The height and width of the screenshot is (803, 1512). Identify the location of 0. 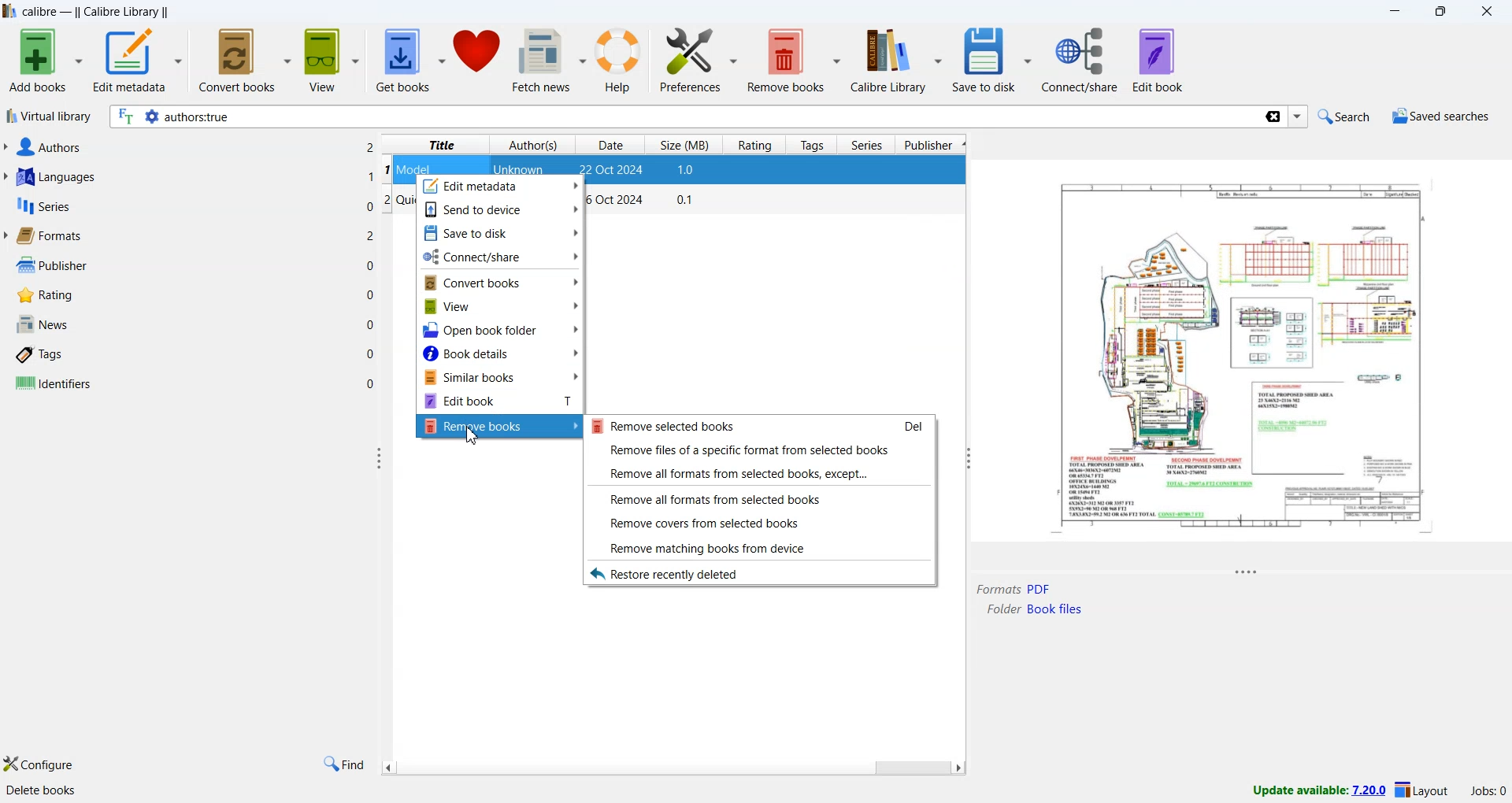
(369, 204).